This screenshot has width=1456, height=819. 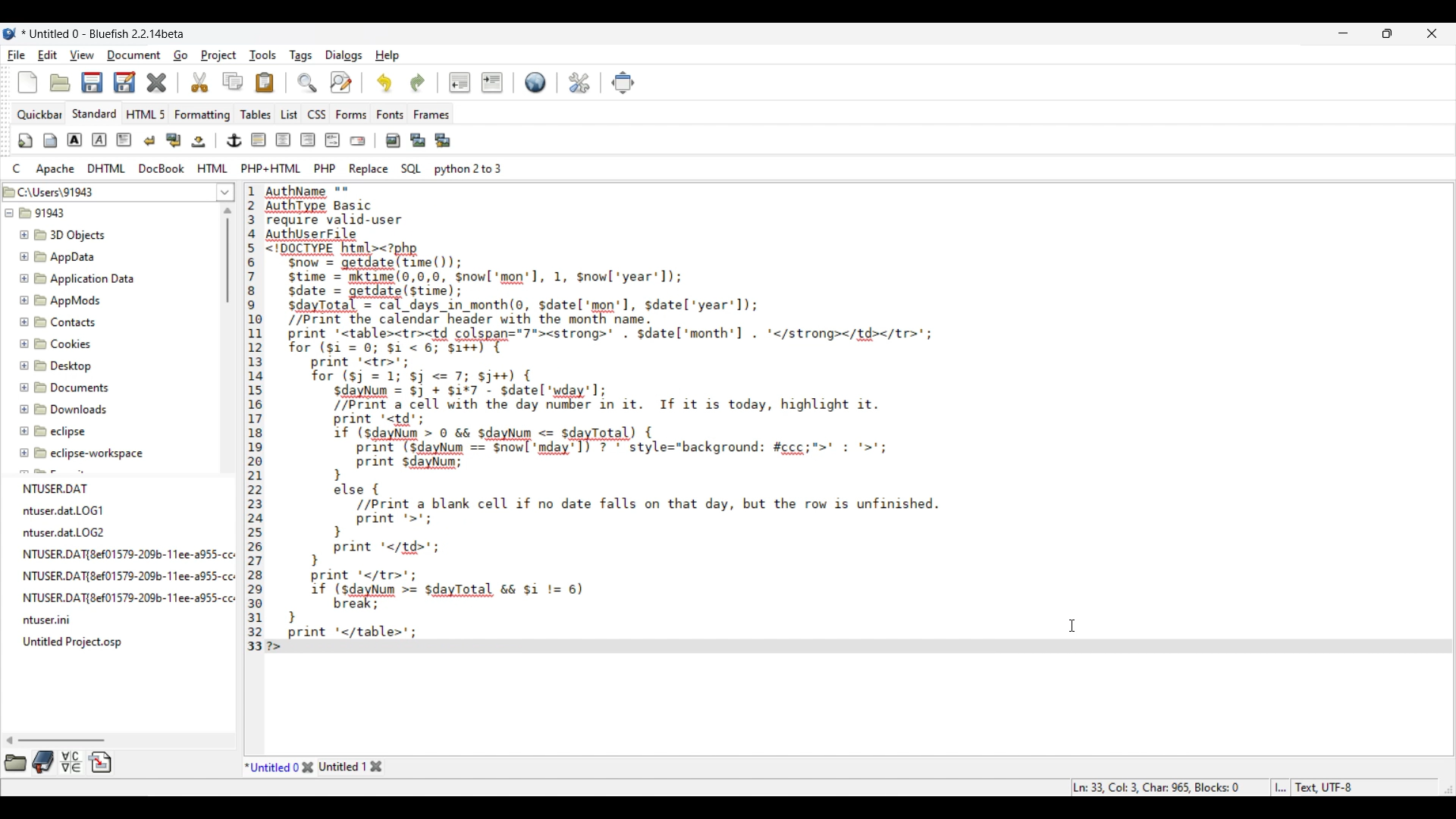 I want to click on Project name, software name and version, so click(x=105, y=33).